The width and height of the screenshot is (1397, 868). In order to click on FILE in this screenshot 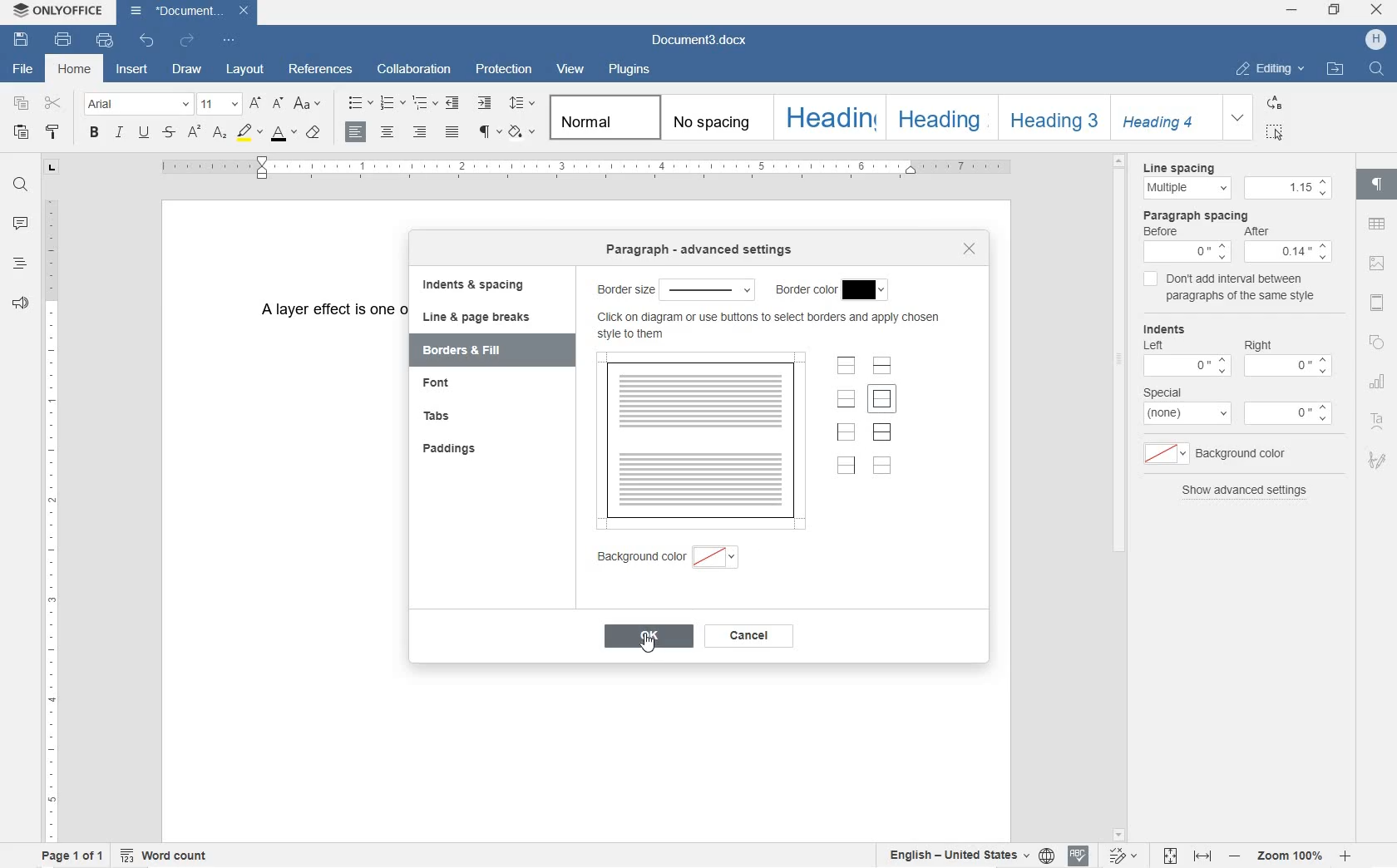, I will do `click(21, 69)`.